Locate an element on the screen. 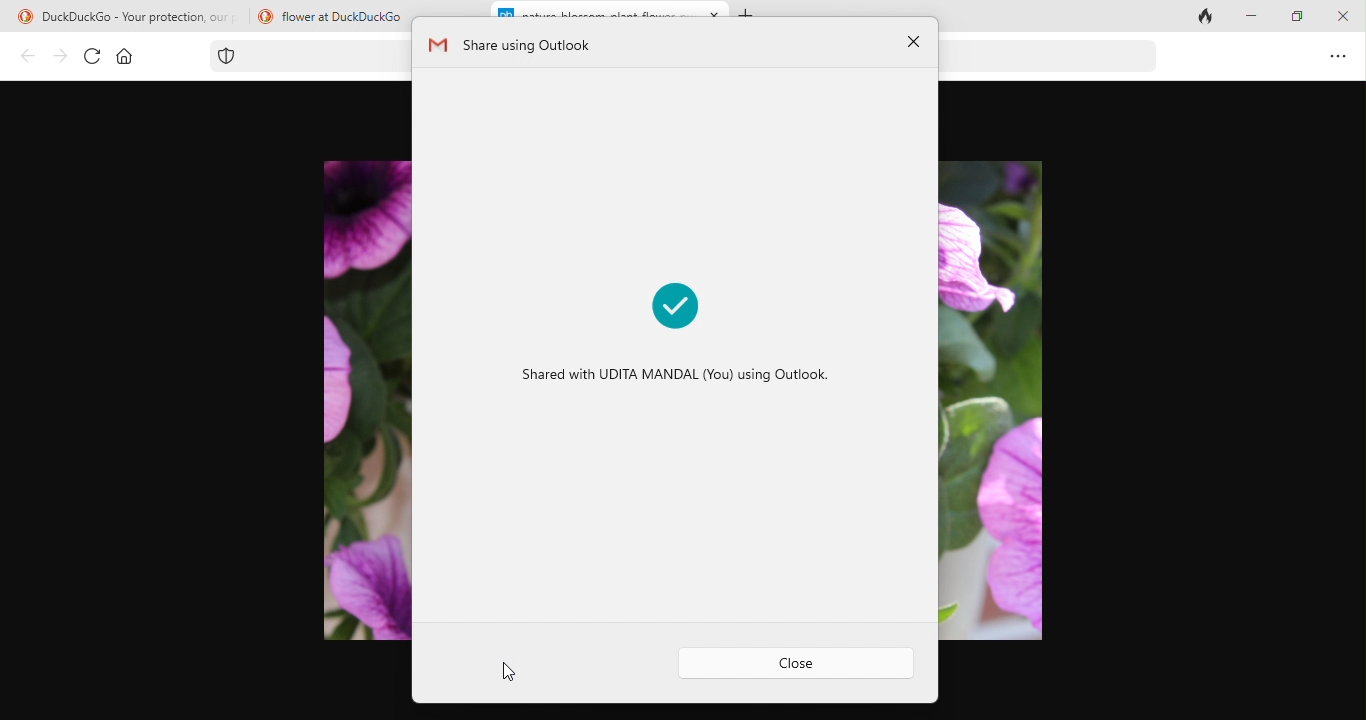 The image size is (1366, 720). DuckDuckGo - Your protection, our priority is located at coordinates (144, 17).